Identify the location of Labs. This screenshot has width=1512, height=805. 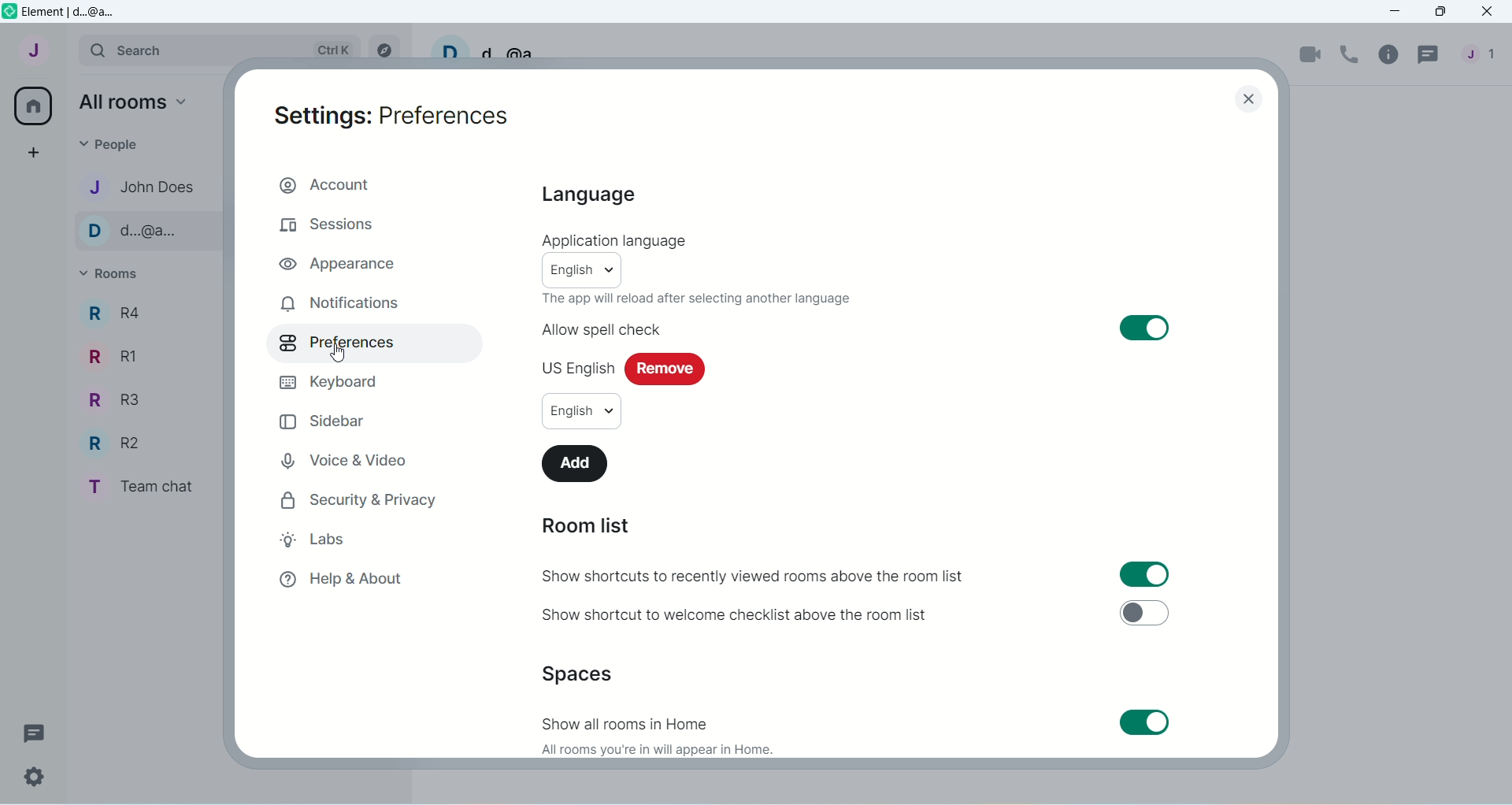
(339, 539).